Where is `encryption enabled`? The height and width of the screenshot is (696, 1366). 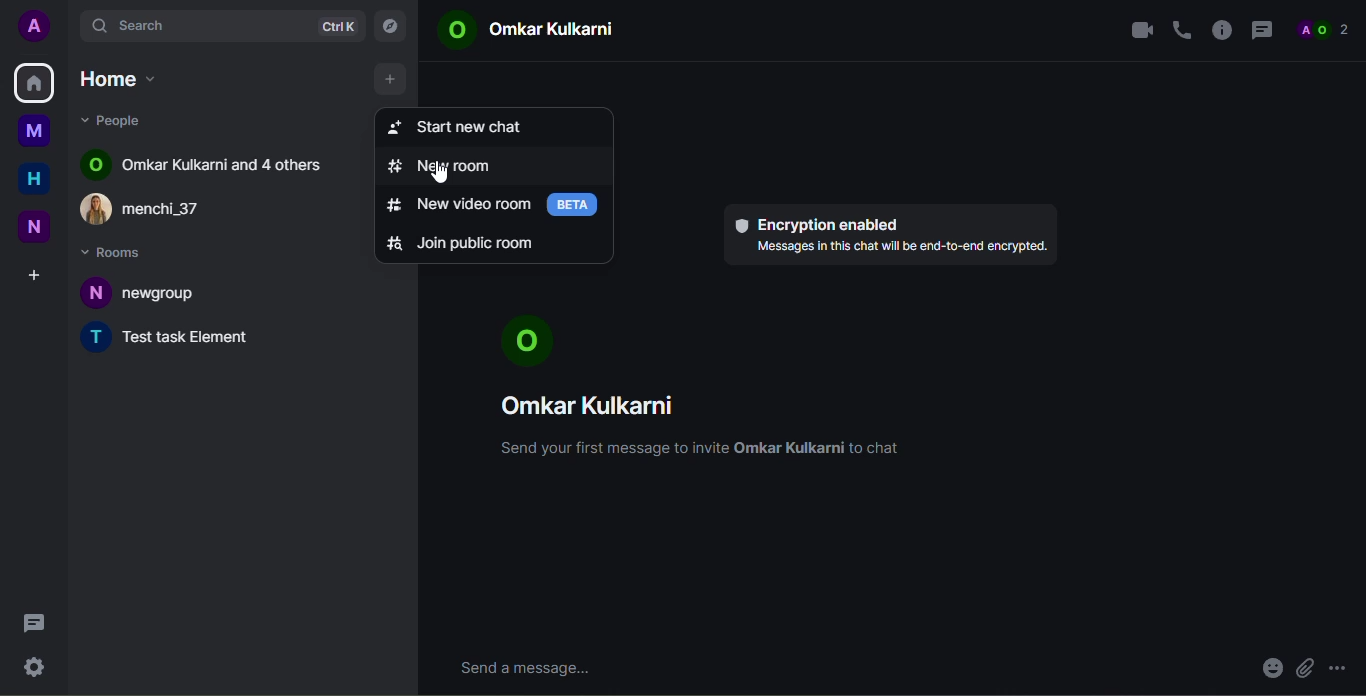
encryption enabled is located at coordinates (819, 224).